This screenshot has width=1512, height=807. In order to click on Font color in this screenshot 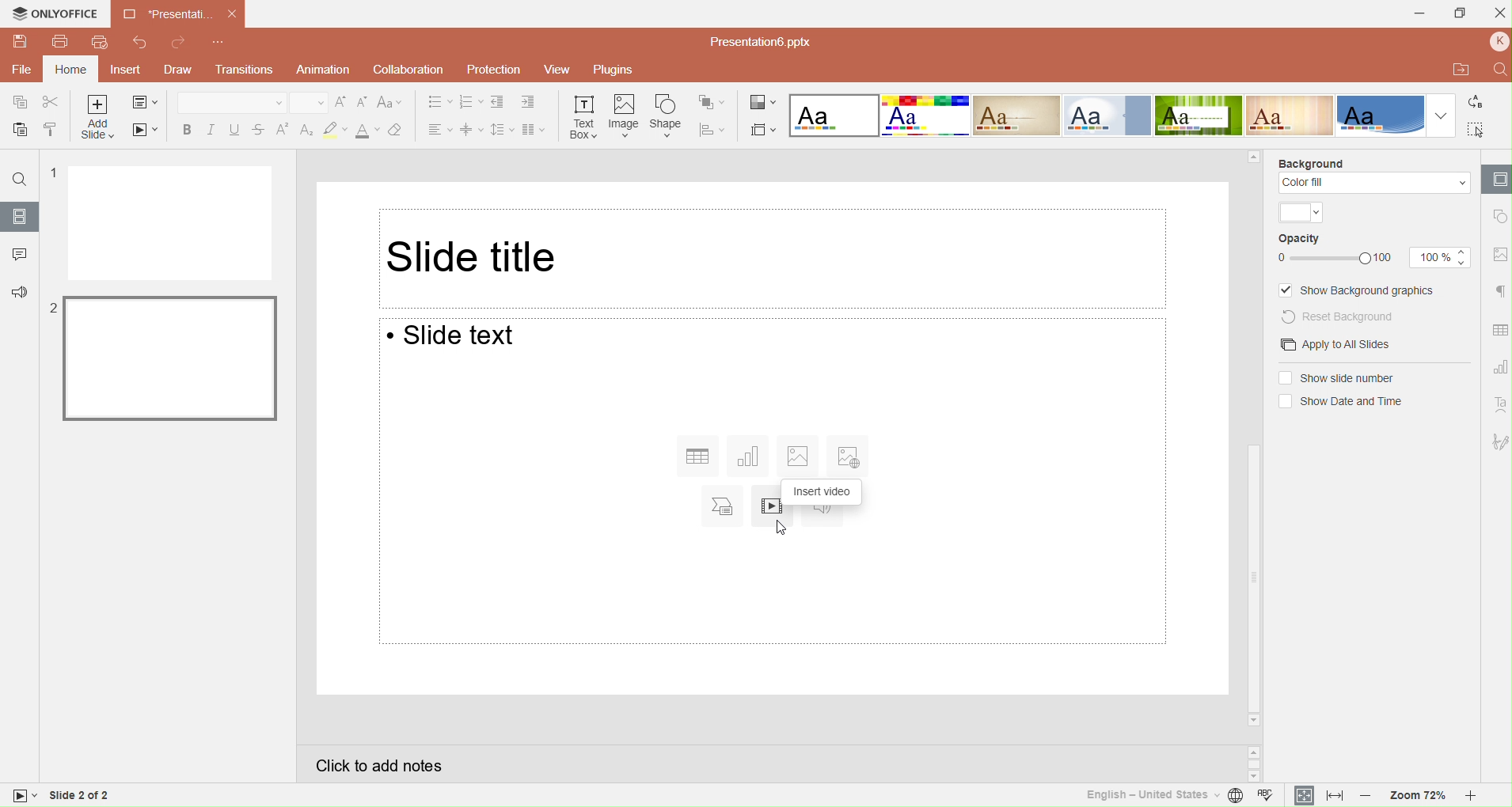, I will do `click(366, 129)`.